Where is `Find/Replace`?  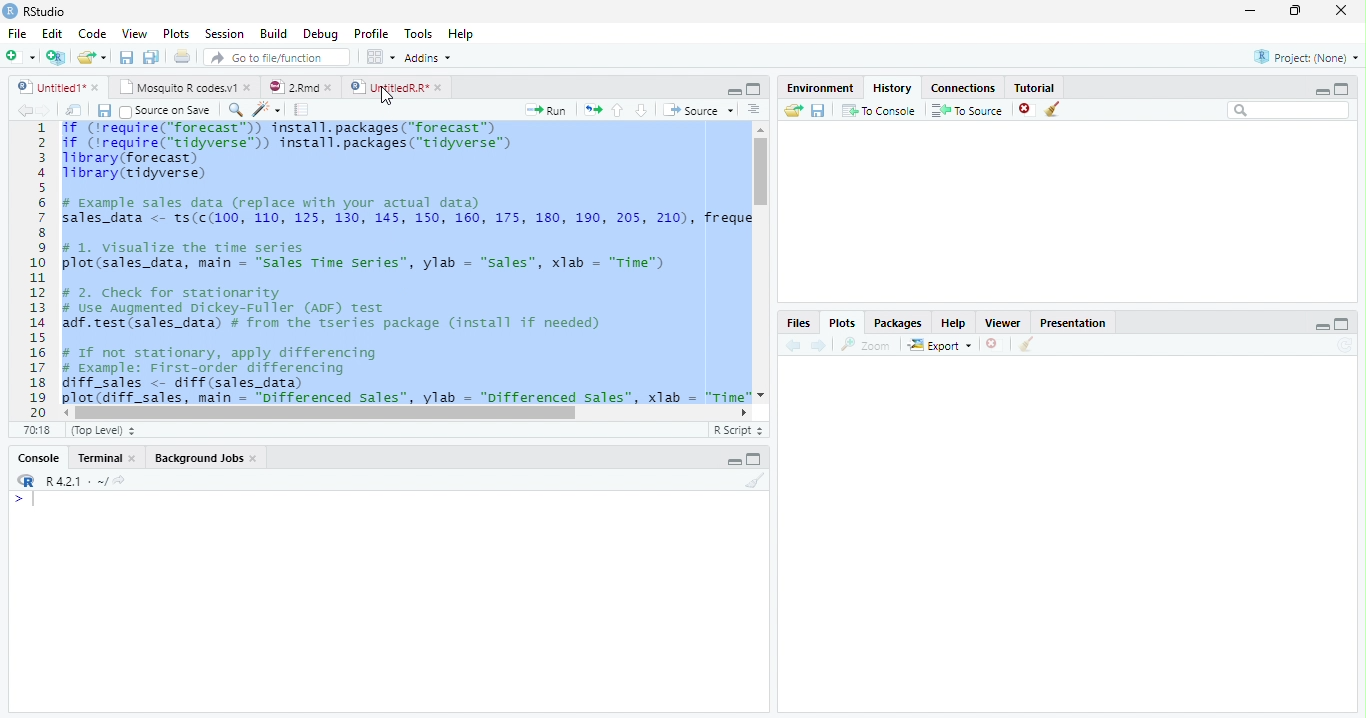
Find/Replace is located at coordinates (233, 110).